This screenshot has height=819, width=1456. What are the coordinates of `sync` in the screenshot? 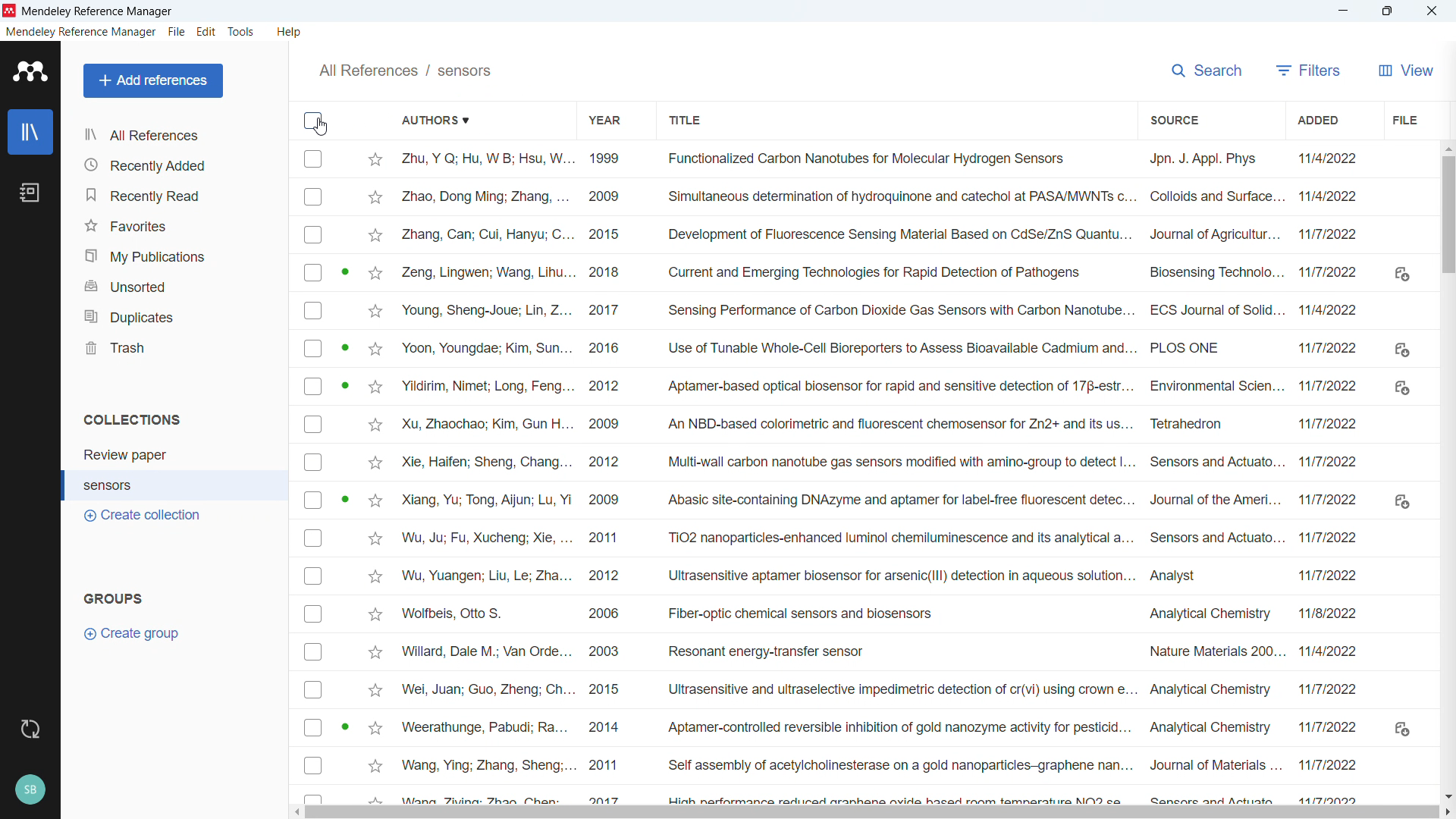 It's located at (29, 728).